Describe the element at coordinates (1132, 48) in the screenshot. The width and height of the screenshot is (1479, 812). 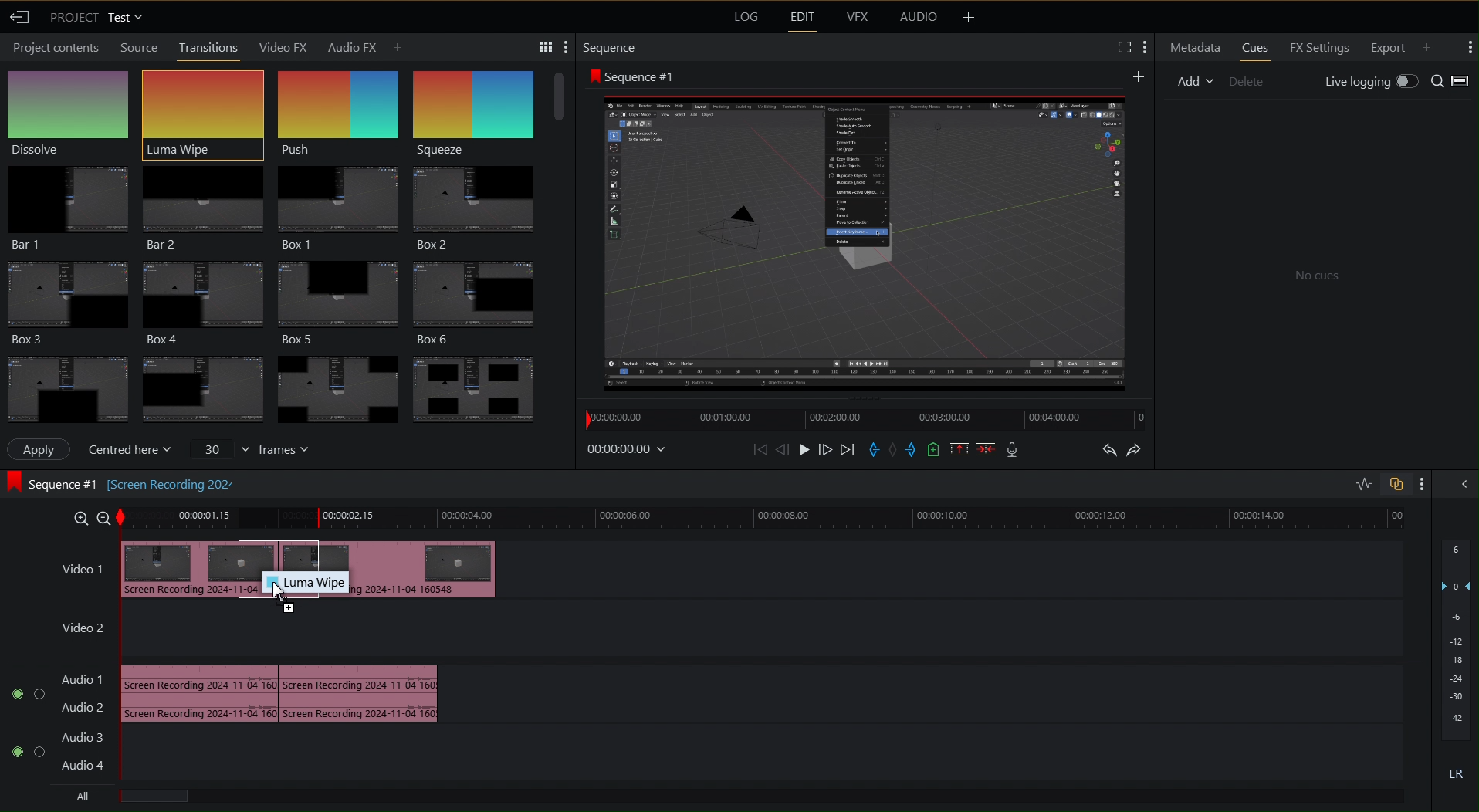
I see `Settings` at that location.